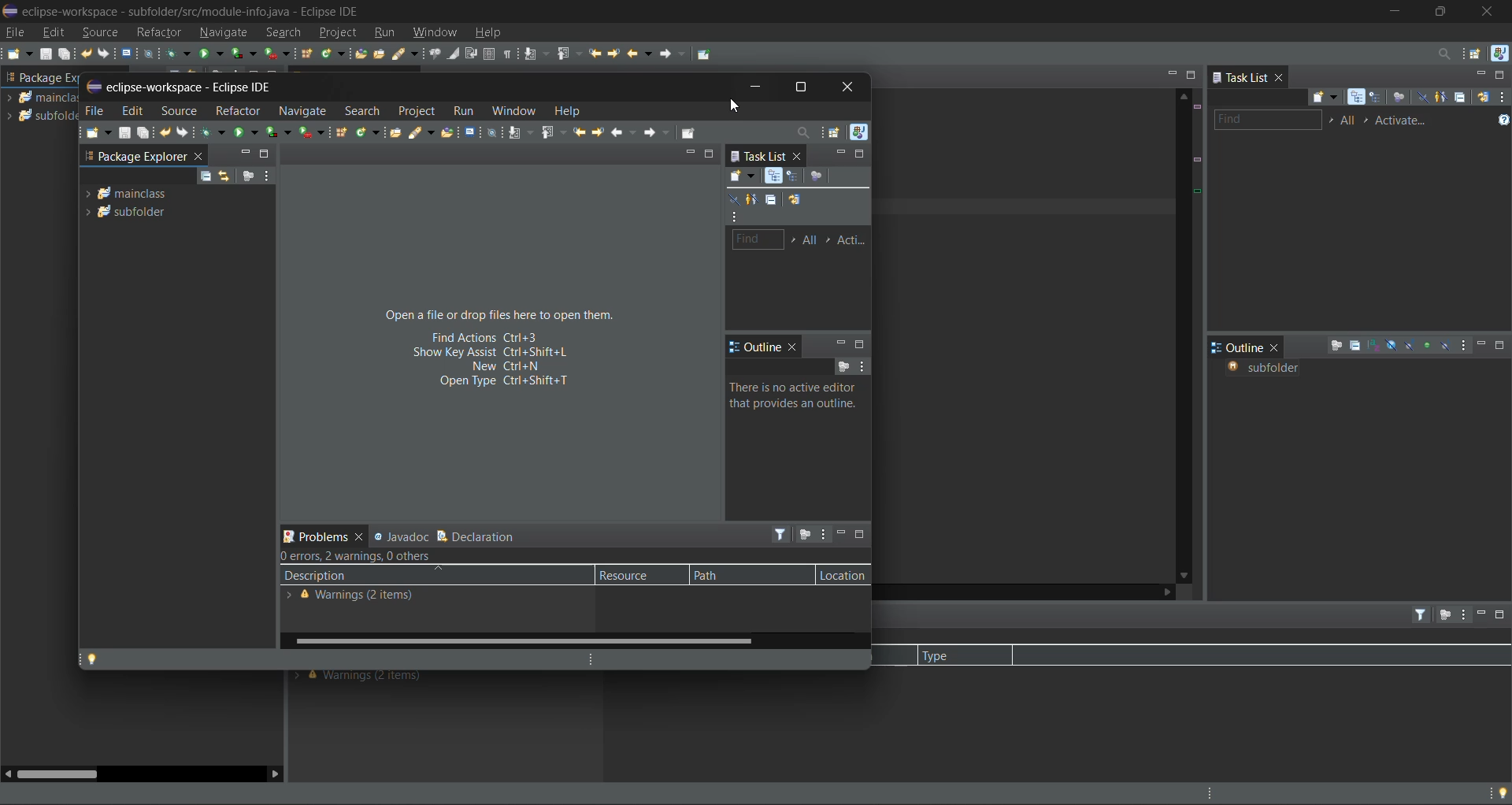 The image size is (1512, 805). Describe the element at coordinates (358, 596) in the screenshot. I see `metadata` at that location.